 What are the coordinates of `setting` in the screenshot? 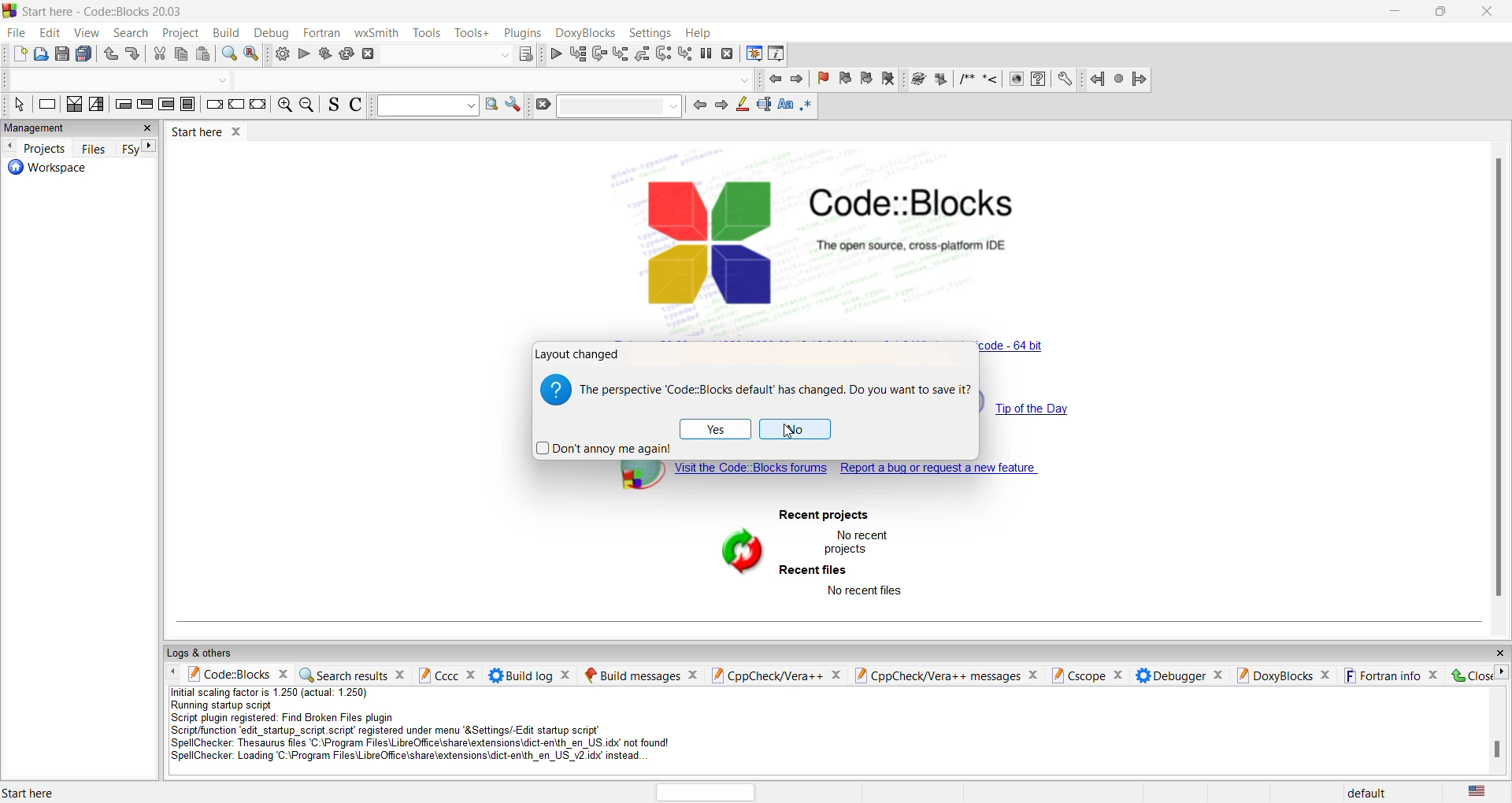 It's located at (1065, 80).